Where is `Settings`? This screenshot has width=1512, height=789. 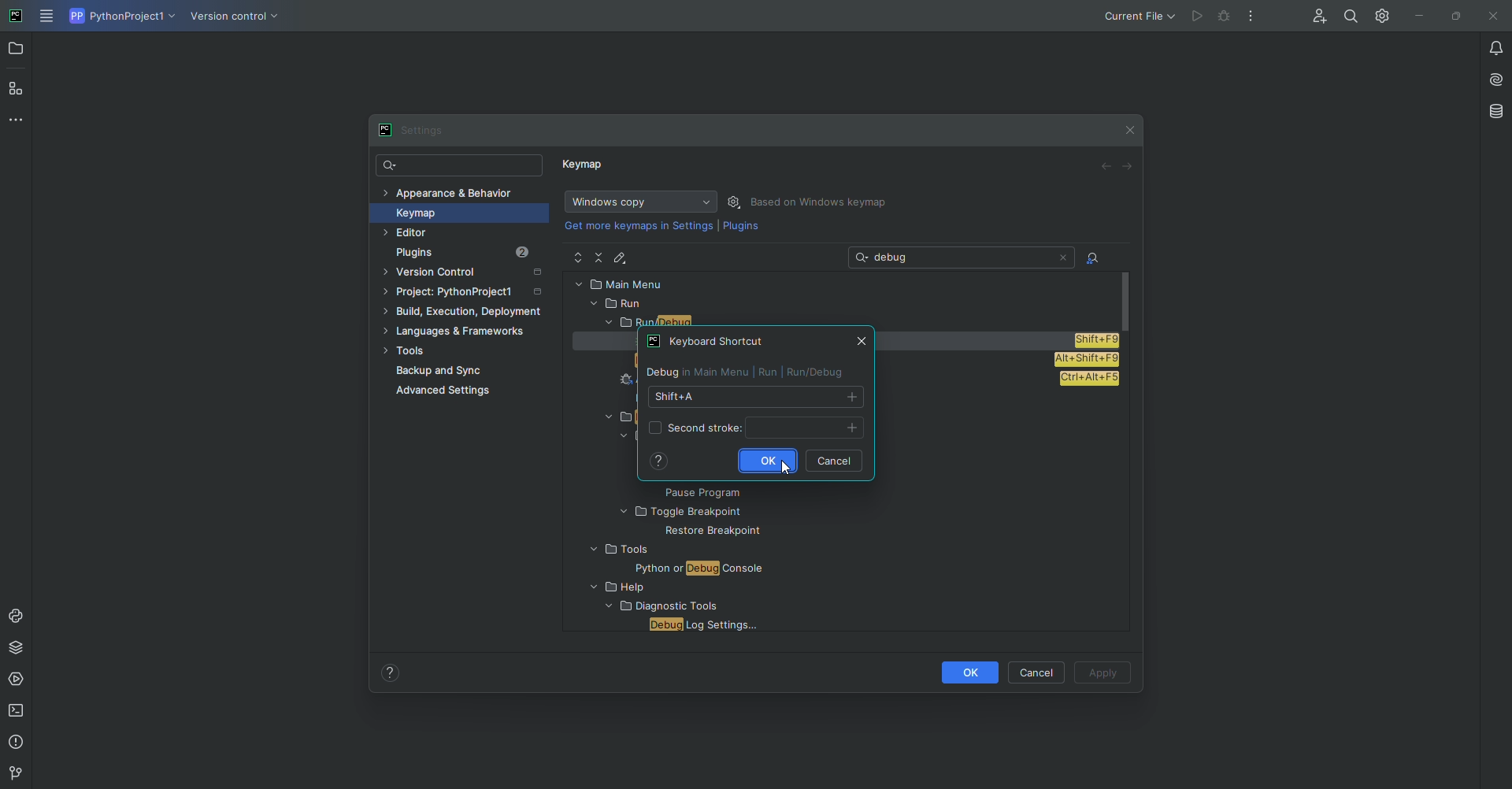
Settings is located at coordinates (736, 202).